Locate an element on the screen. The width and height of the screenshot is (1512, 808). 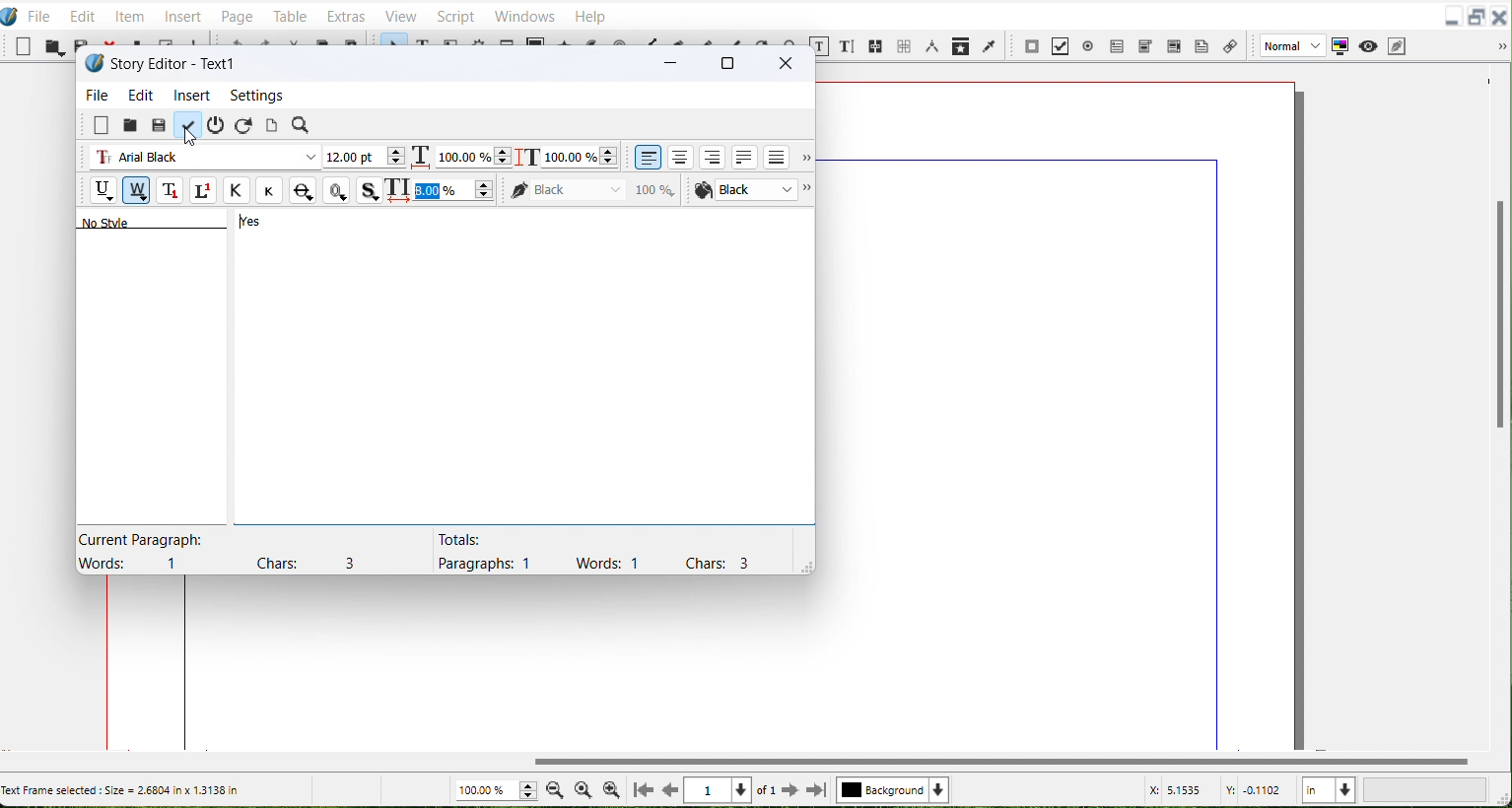
Preview Mode is located at coordinates (1368, 45).